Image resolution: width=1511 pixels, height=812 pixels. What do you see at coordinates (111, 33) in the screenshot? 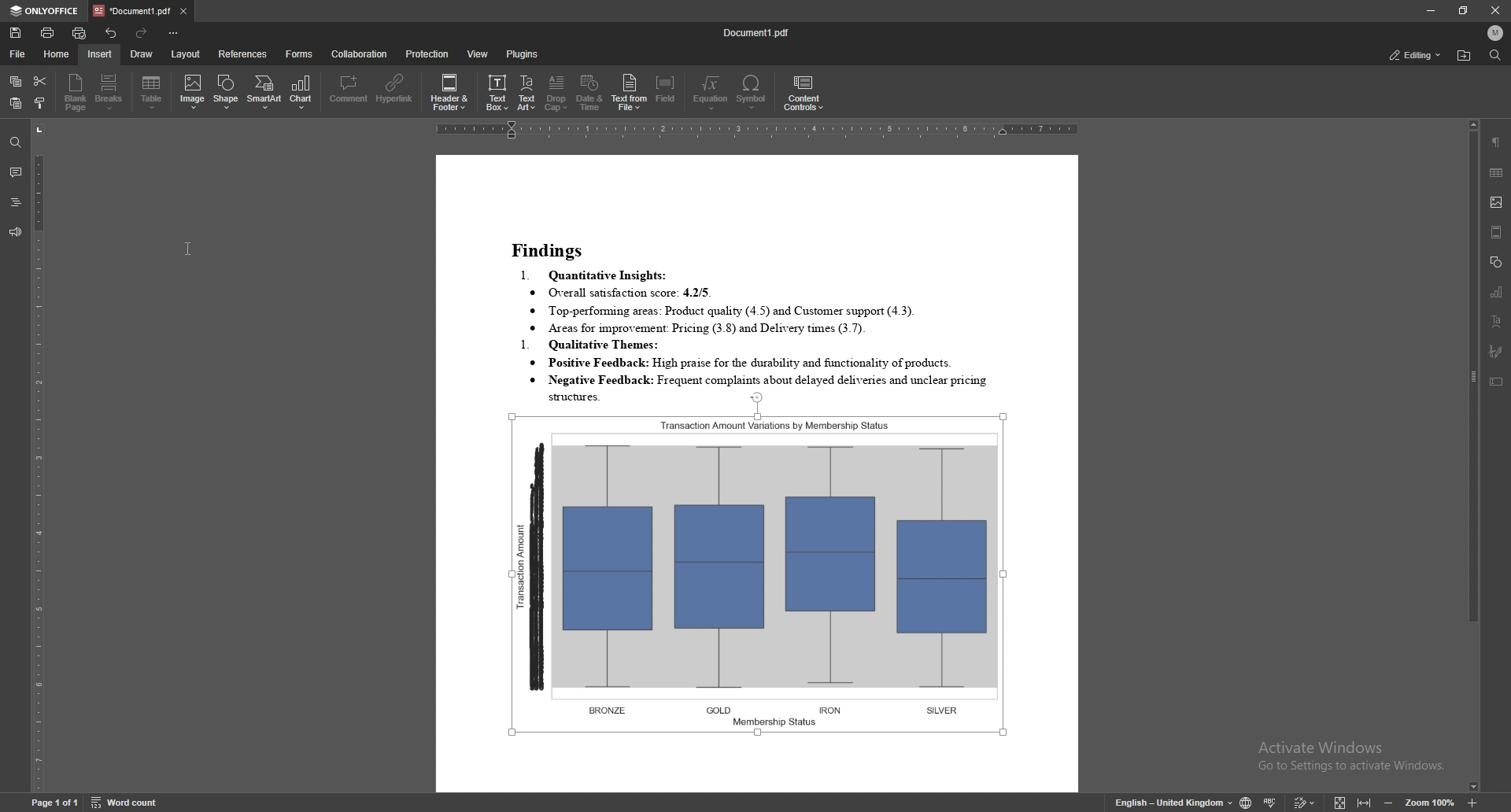
I see `undo` at bounding box center [111, 33].